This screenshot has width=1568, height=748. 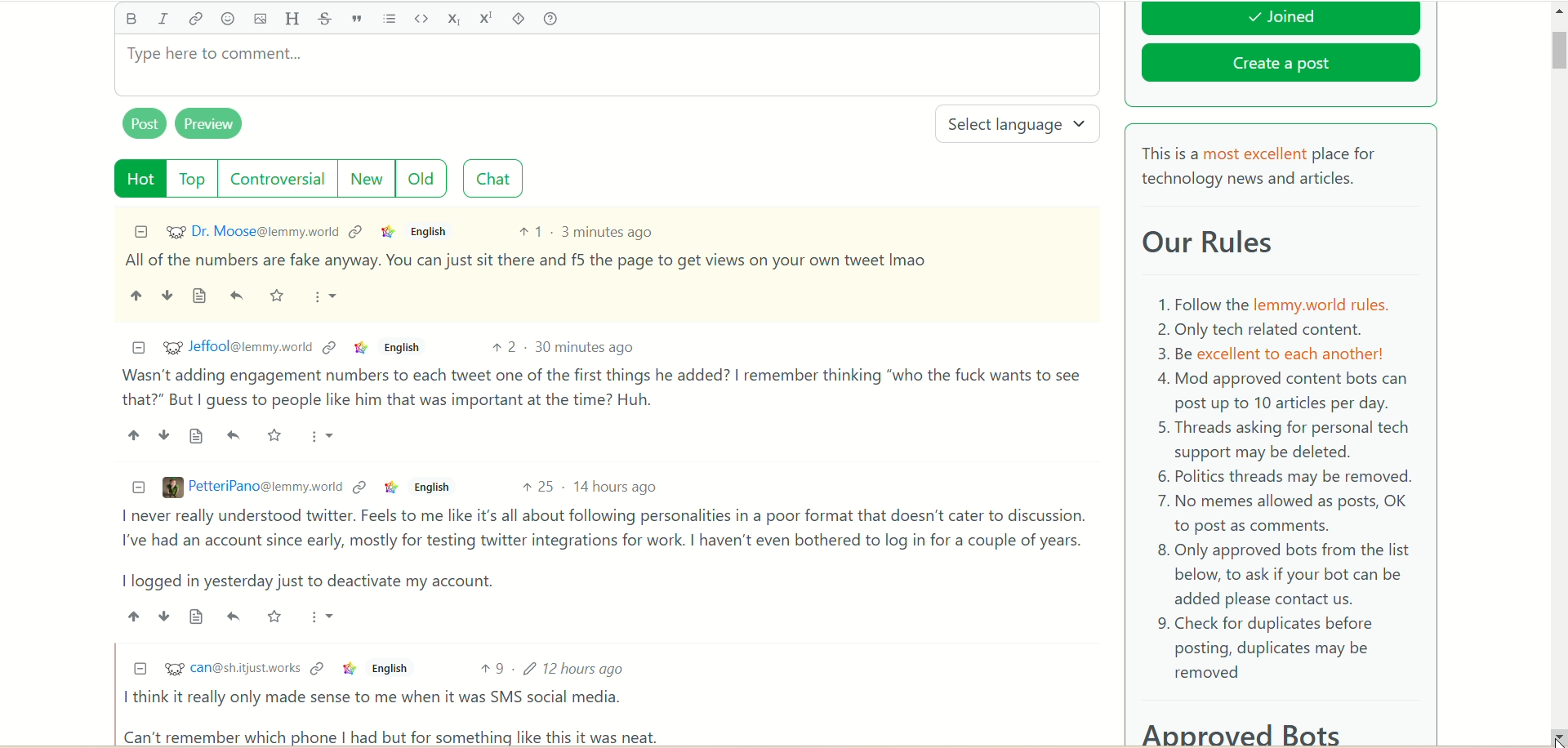 What do you see at coordinates (228, 20) in the screenshot?
I see `emoji` at bounding box center [228, 20].